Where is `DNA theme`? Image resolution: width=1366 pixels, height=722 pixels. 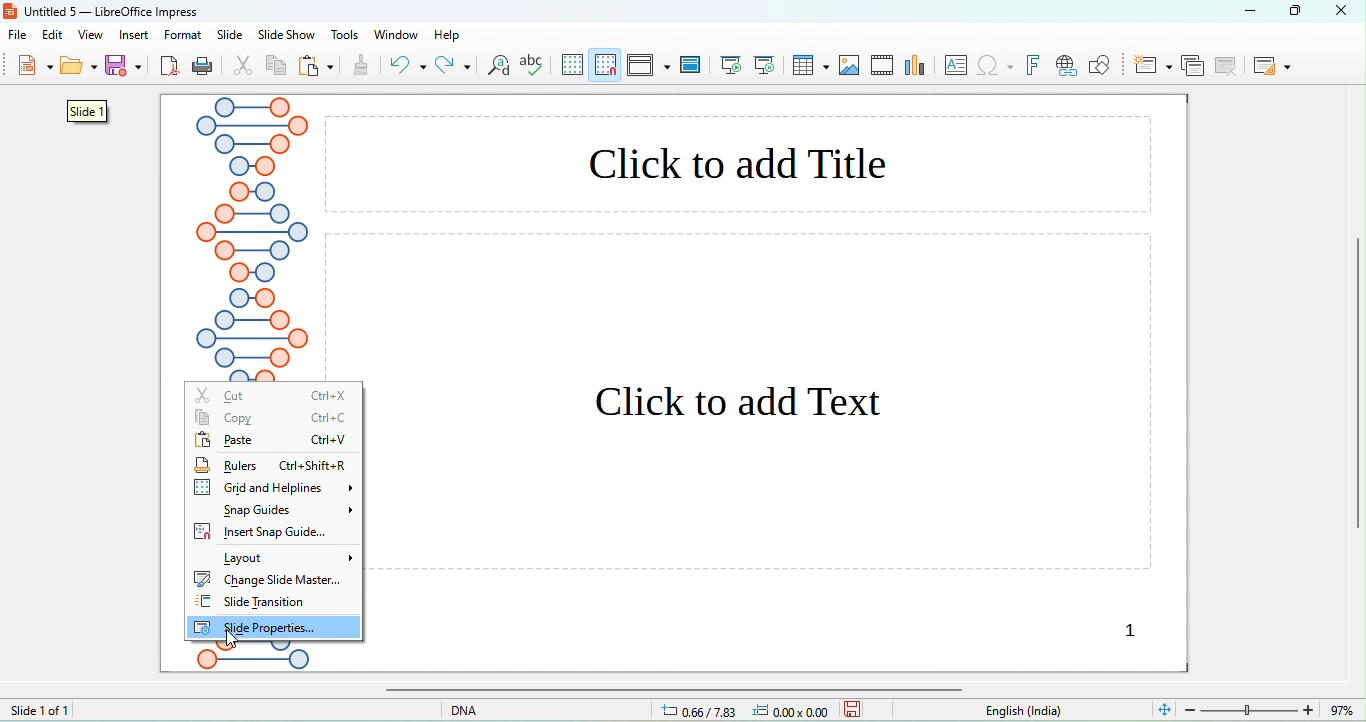 DNA theme is located at coordinates (250, 663).